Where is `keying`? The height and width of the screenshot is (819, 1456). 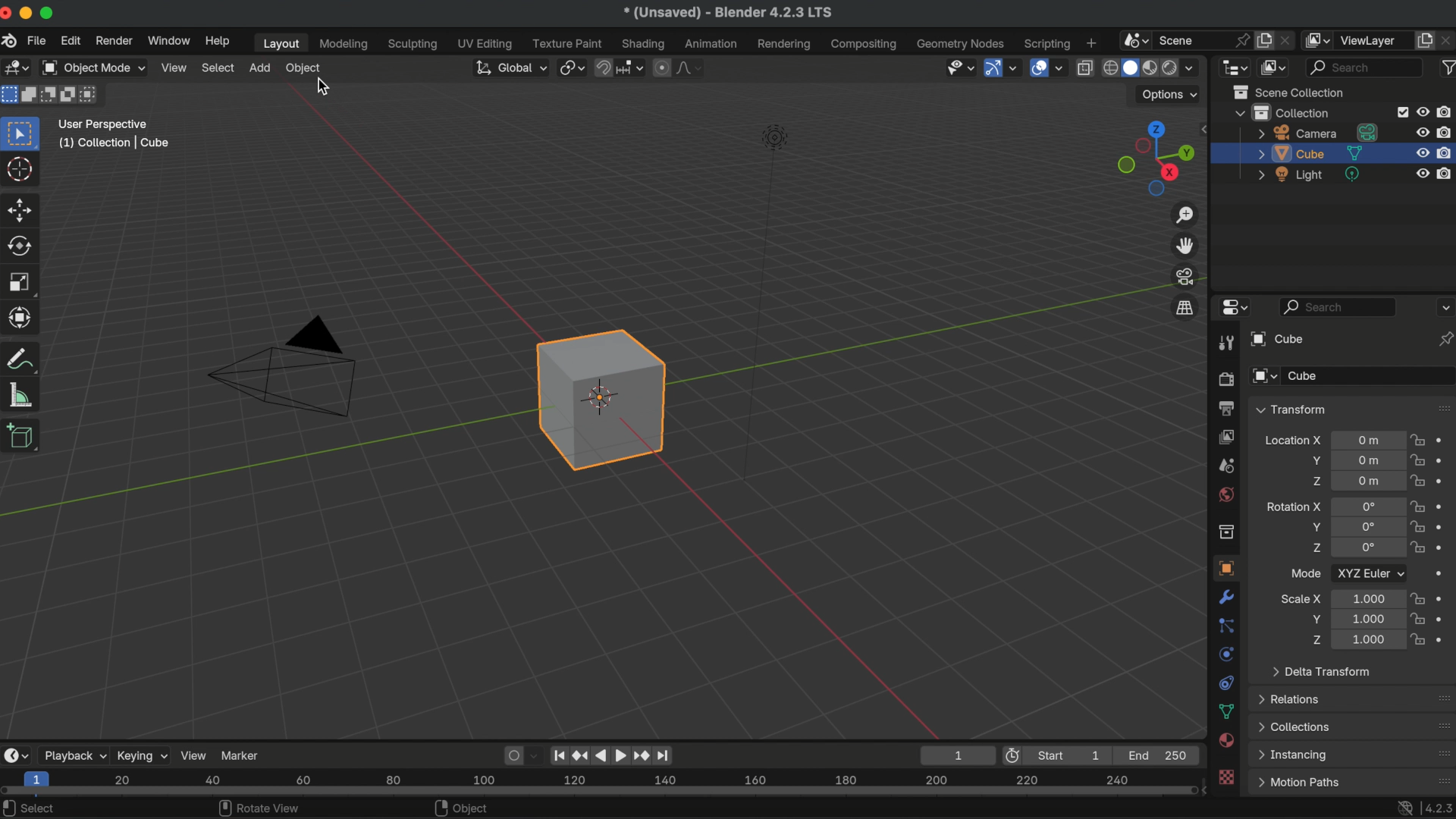
keying is located at coordinates (142, 755).